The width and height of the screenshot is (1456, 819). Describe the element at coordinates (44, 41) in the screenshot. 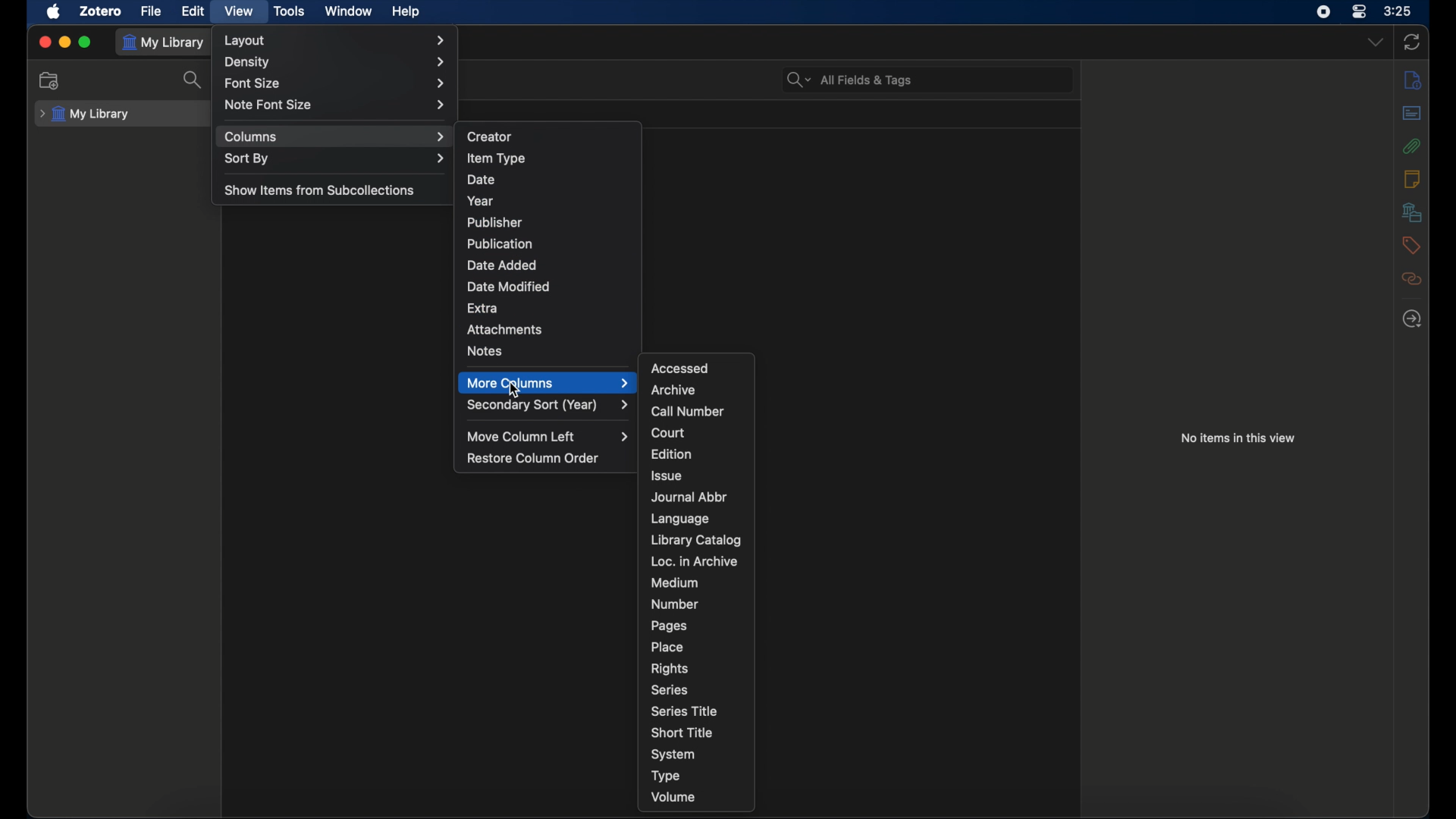

I see `close` at that location.